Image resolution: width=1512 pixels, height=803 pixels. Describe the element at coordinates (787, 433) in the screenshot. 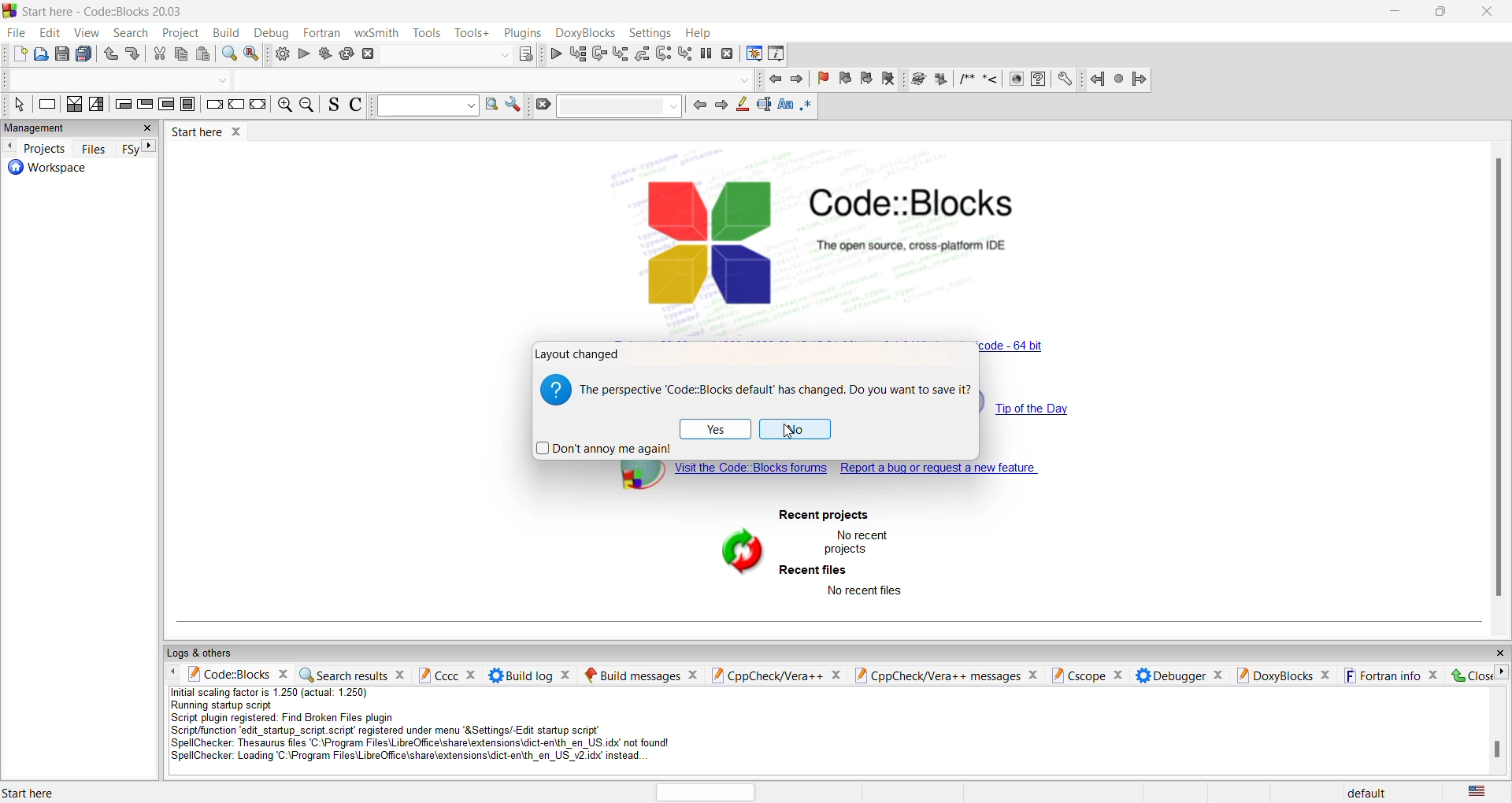

I see `cursor` at that location.